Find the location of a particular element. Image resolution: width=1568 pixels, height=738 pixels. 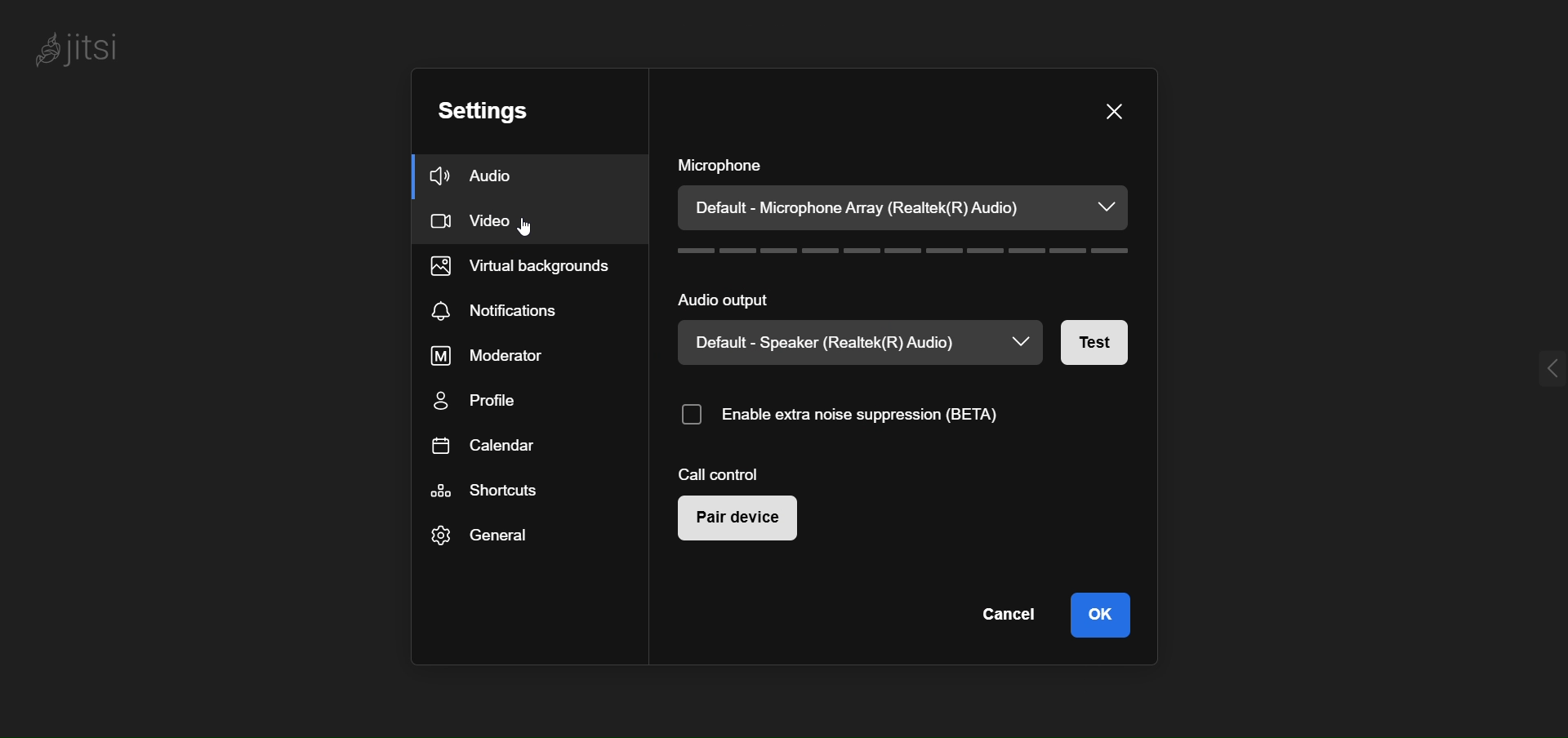

moderator is located at coordinates (494, 354).